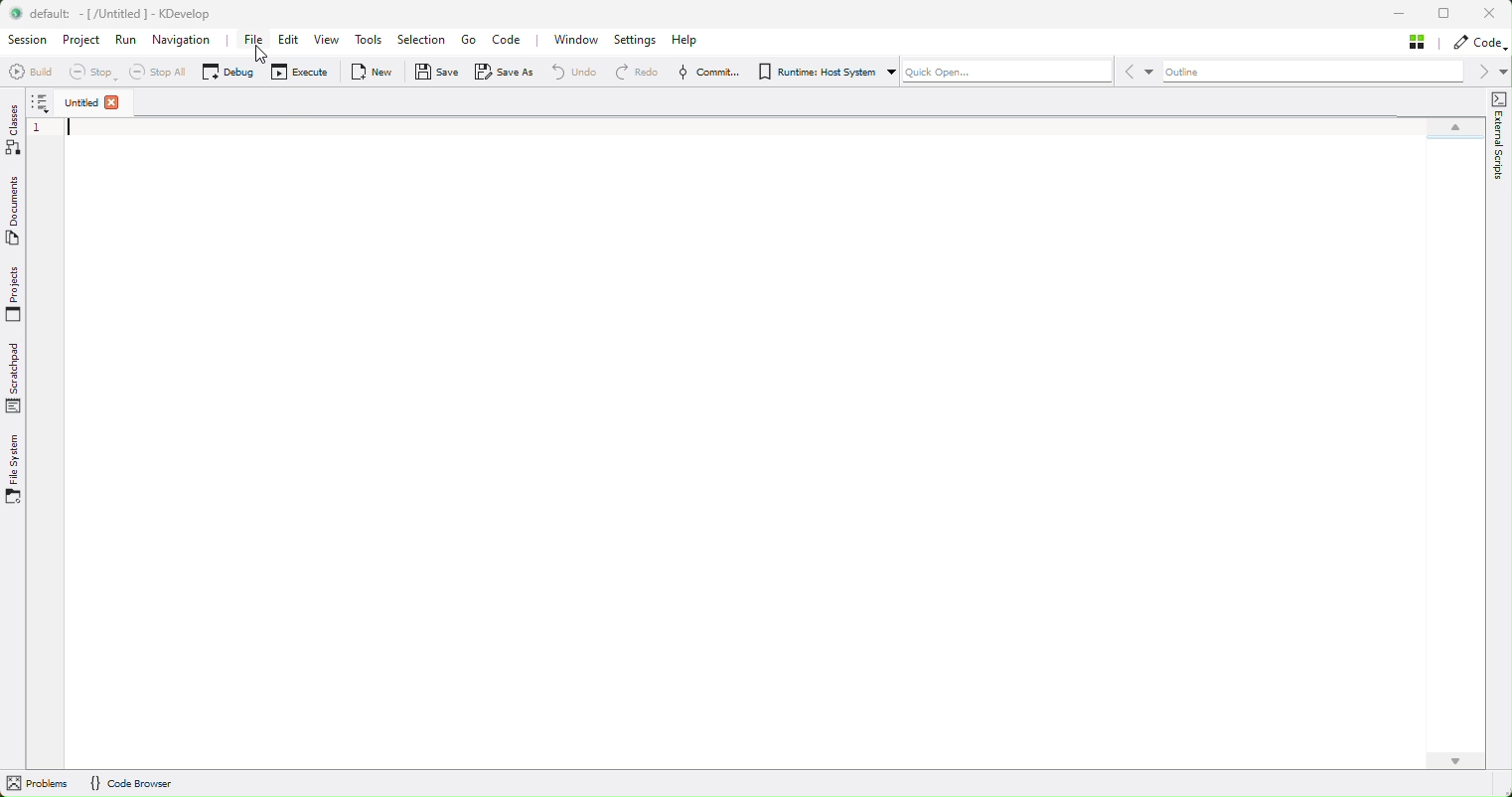 The width and height of the screenshot is (1512, 797). I want to click on New, so click(376, 72).